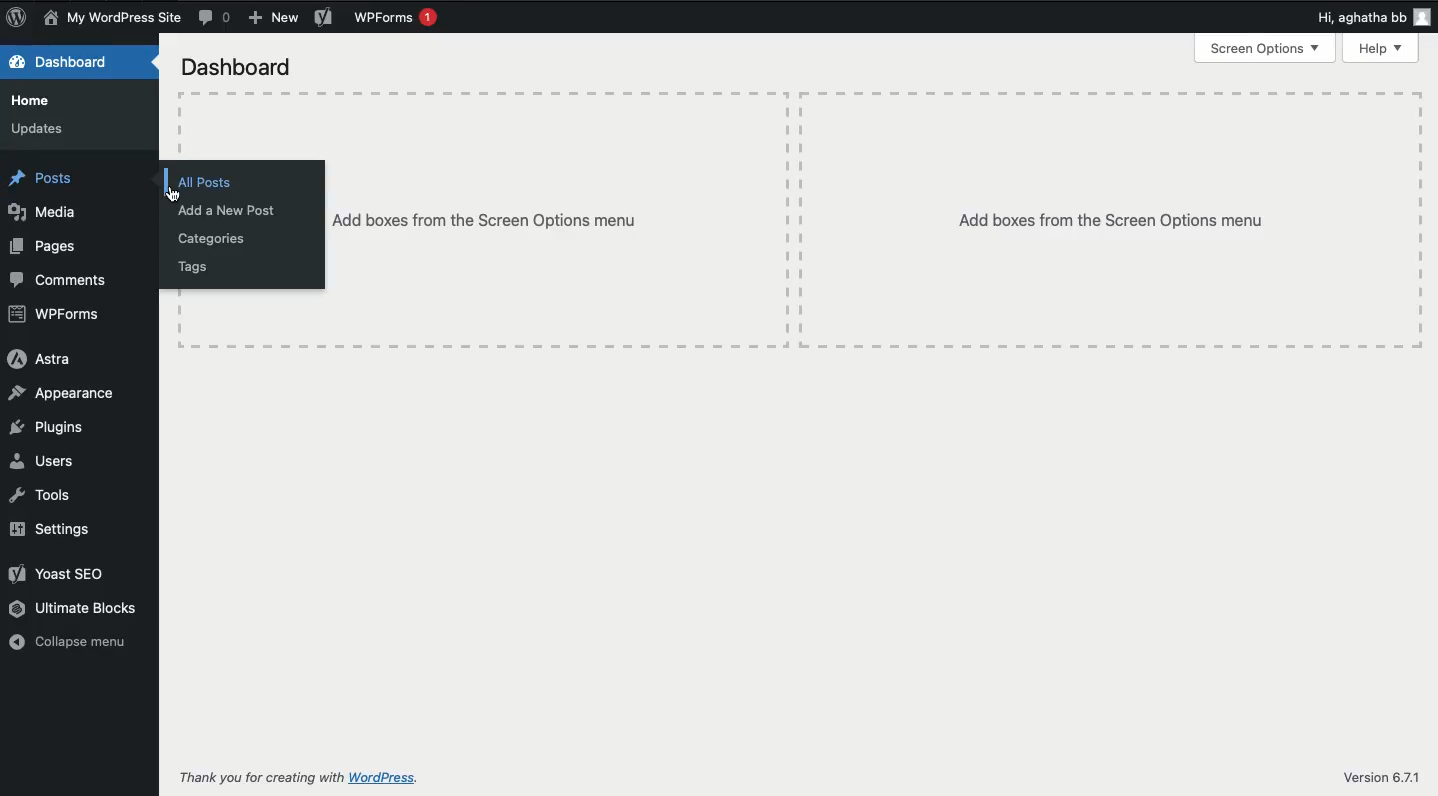 This screenshot has width=1438, height=796. Describe the element at coordinates (61, 394) in the screenshot. I see `Appearance` at that location.